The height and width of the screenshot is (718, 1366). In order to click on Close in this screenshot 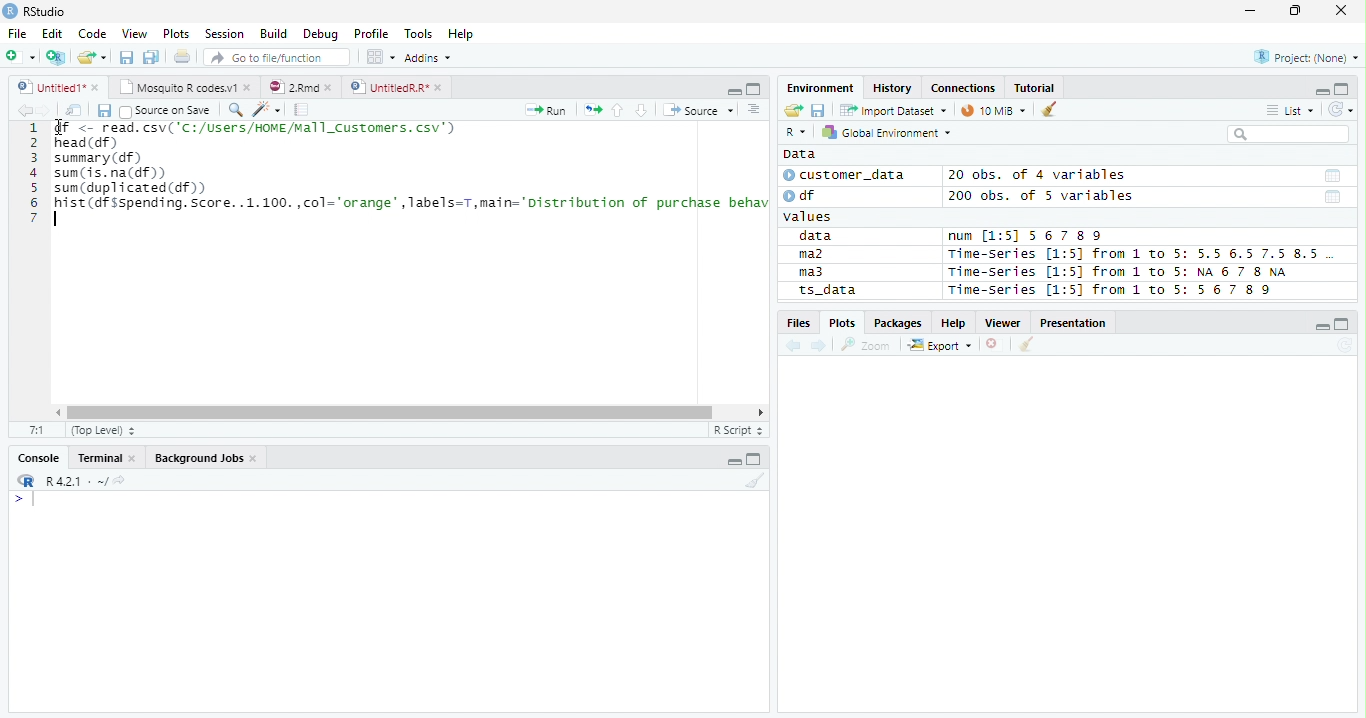, I will do `click(1340, 11)`.